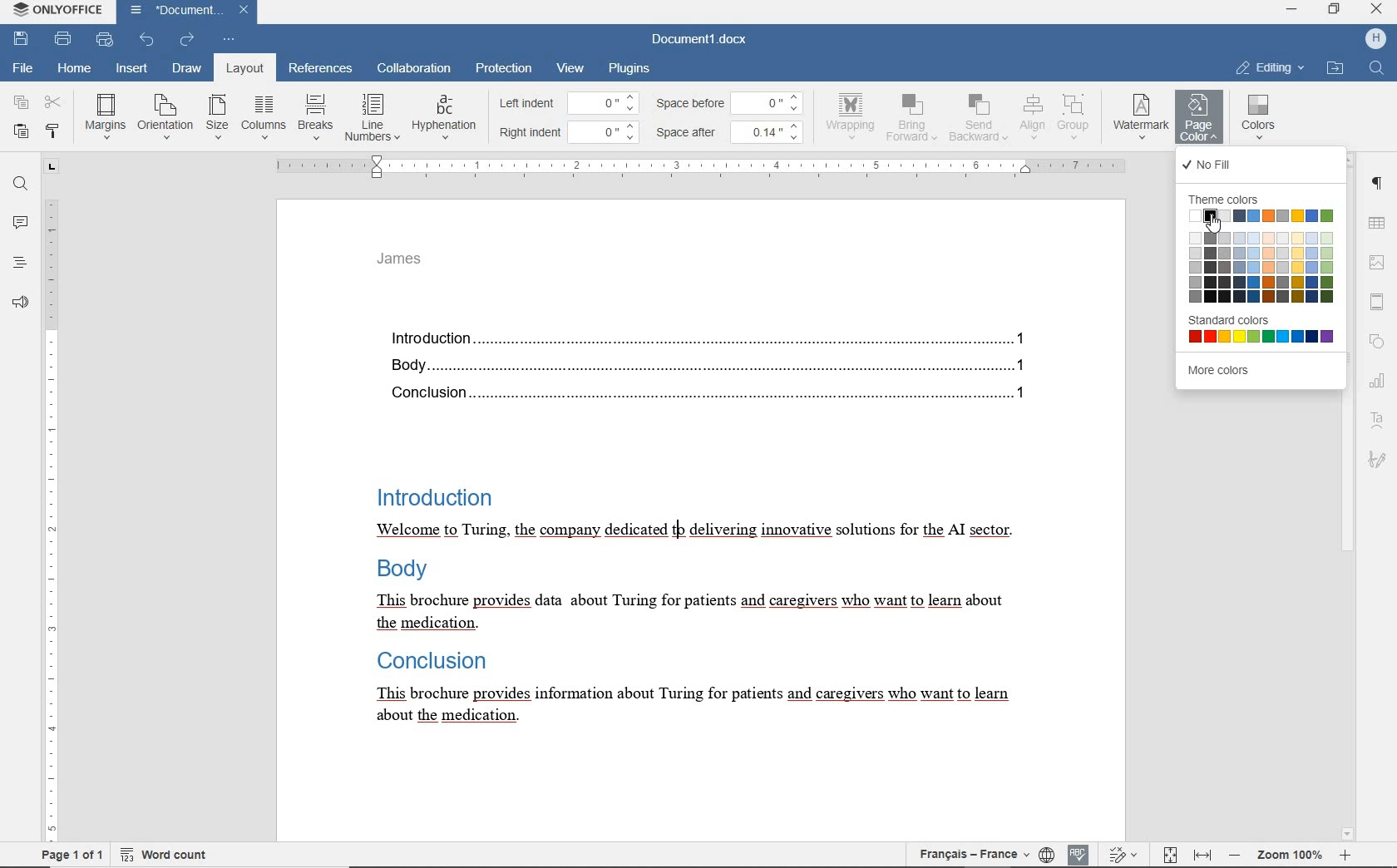  What do you see at coordinates (1078, 118) in the screenshot?
I see `group` at bounding box center [1078, 118].